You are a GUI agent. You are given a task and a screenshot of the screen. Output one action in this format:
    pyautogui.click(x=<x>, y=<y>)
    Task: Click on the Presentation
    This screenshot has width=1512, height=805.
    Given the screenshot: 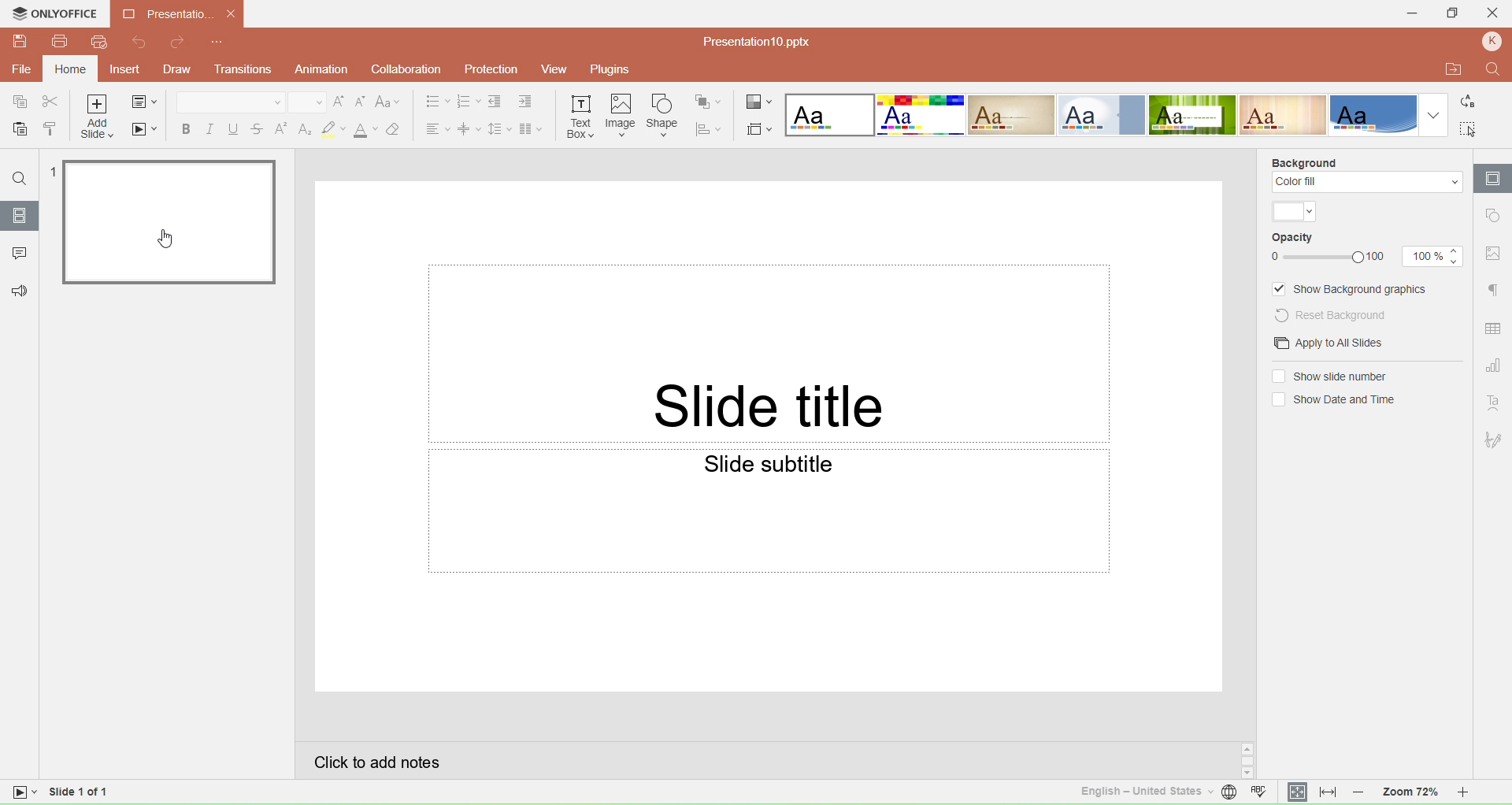 What is the action you would take?
    pyautogui.click(x=179, y=14)
    